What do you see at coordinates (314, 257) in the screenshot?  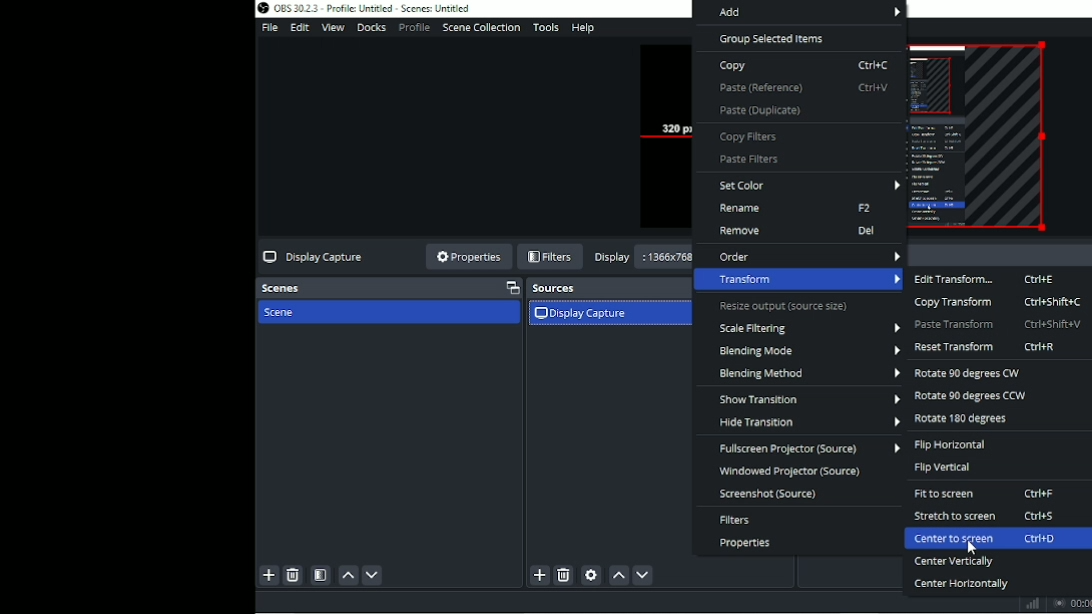 I see `Display capture` at bounding box center [314, 257].